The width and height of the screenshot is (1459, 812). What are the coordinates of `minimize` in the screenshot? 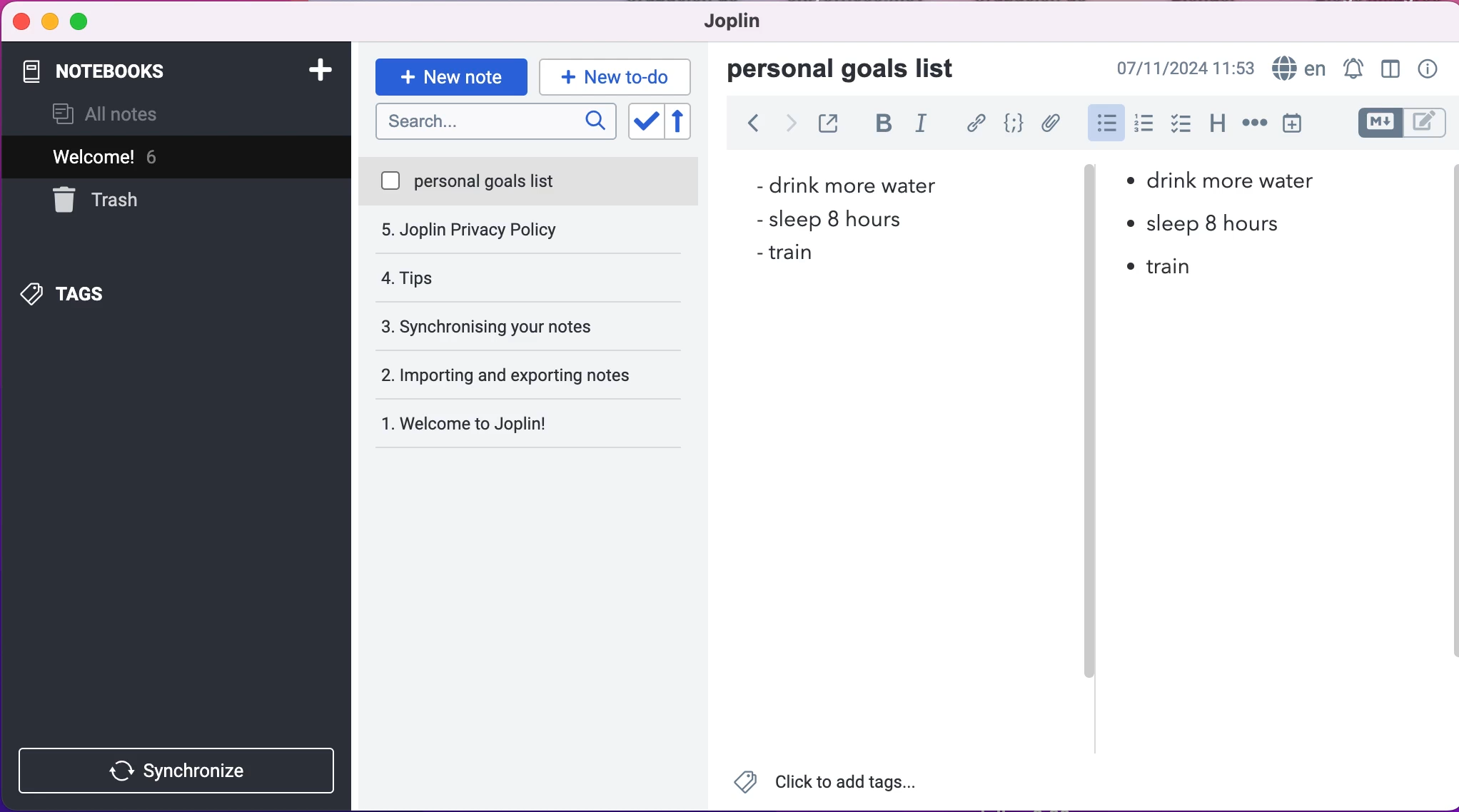 It's located at (49, 22).